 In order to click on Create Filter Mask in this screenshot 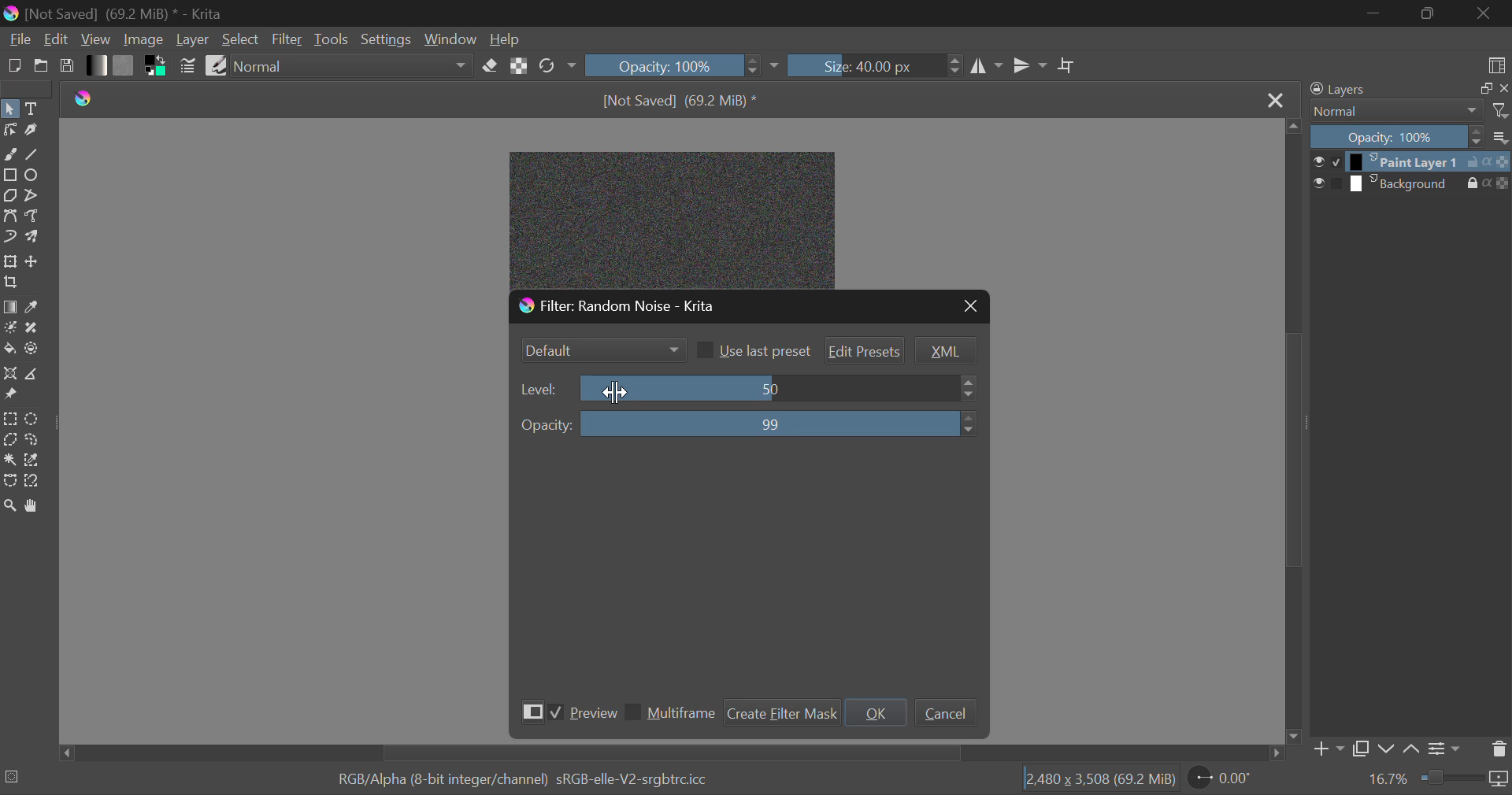, I will do `click(780, 711)`.